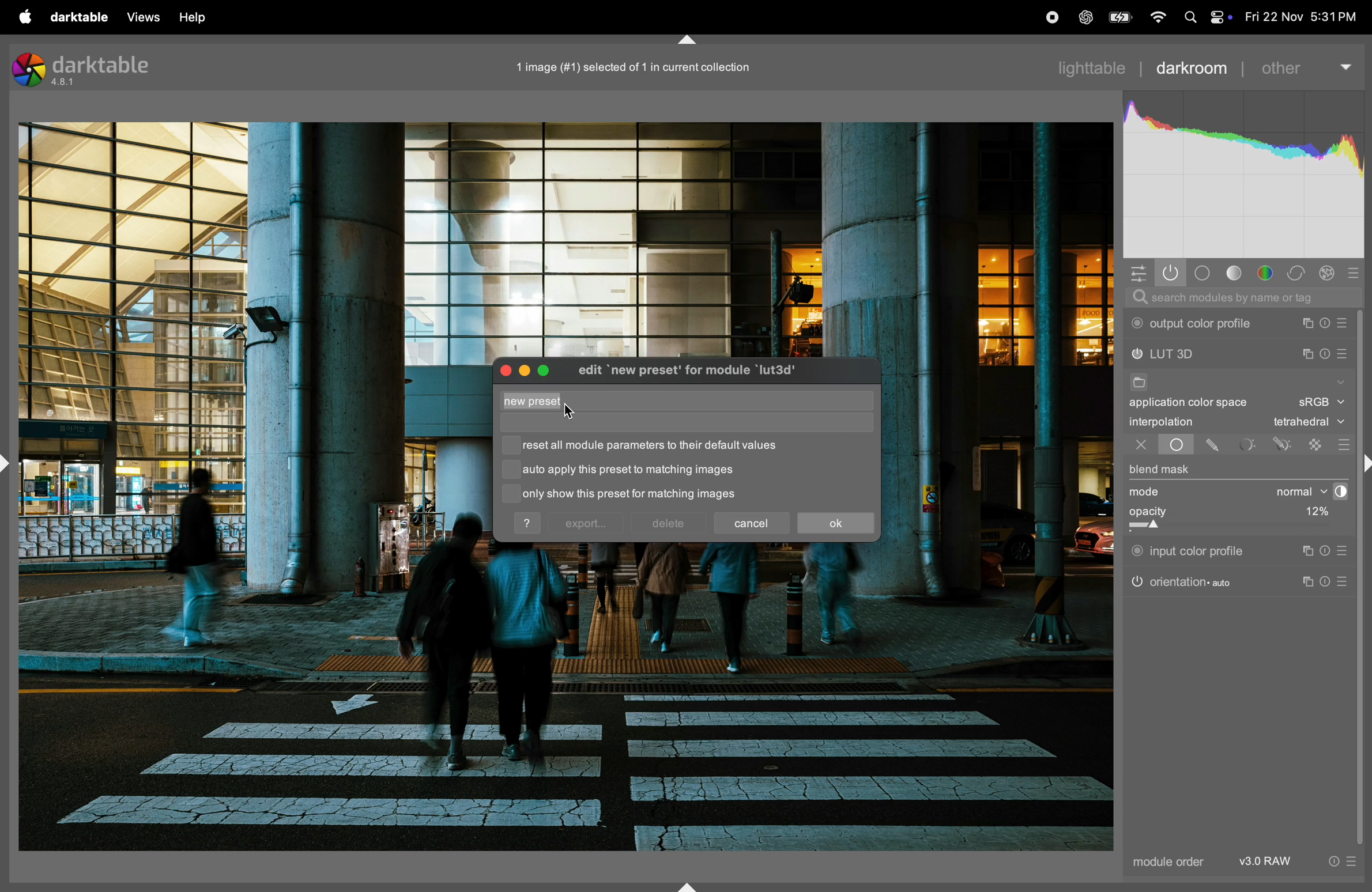 This screenshot has width=1372, height=892. What do you see at coordinates (1344, 551) in the screenshot?
I see `presets` at bounding box center [1344, 551].